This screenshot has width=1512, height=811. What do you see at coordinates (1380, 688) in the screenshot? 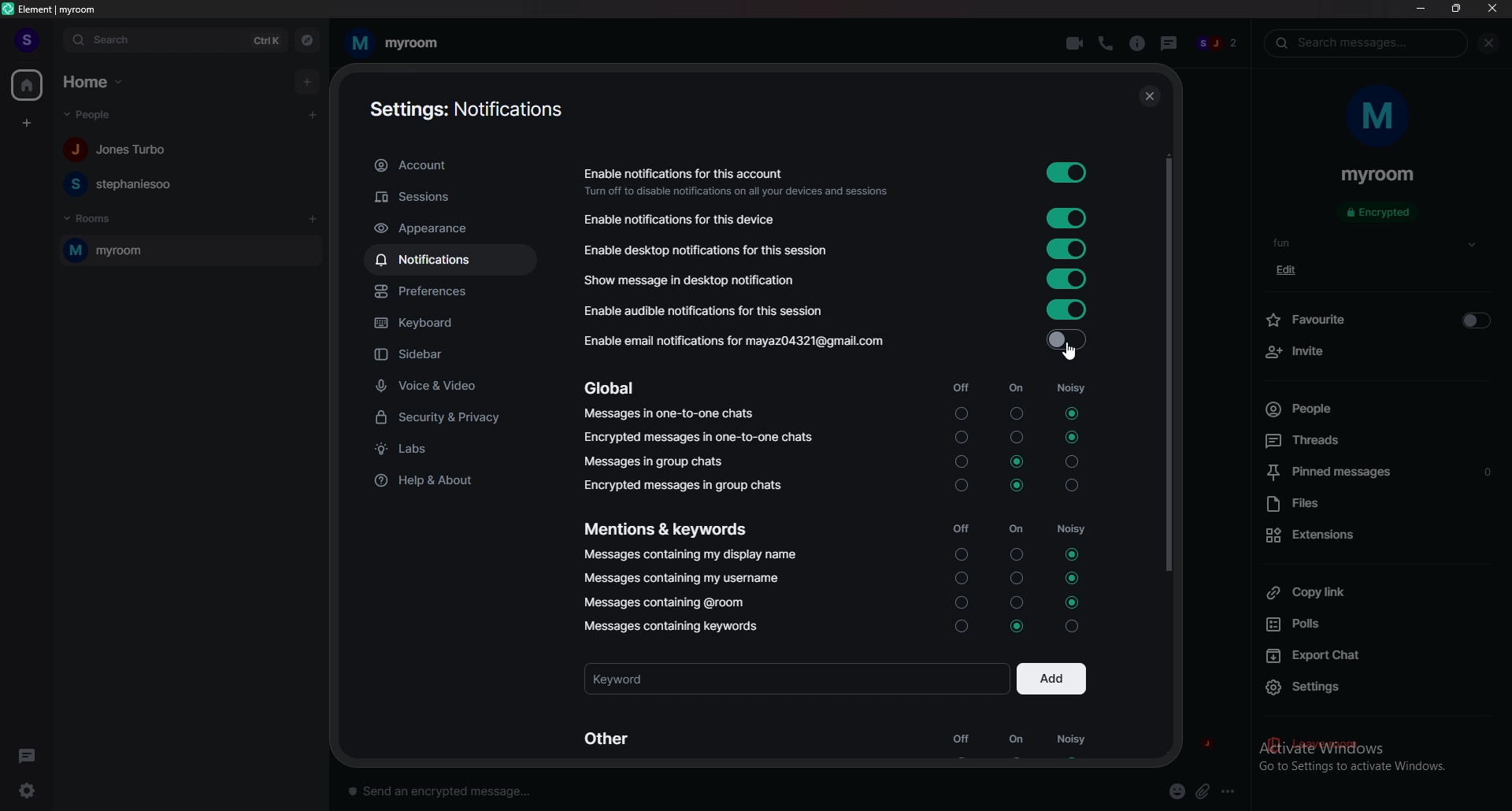
I see `settings` at bounding box center [1380, 688].